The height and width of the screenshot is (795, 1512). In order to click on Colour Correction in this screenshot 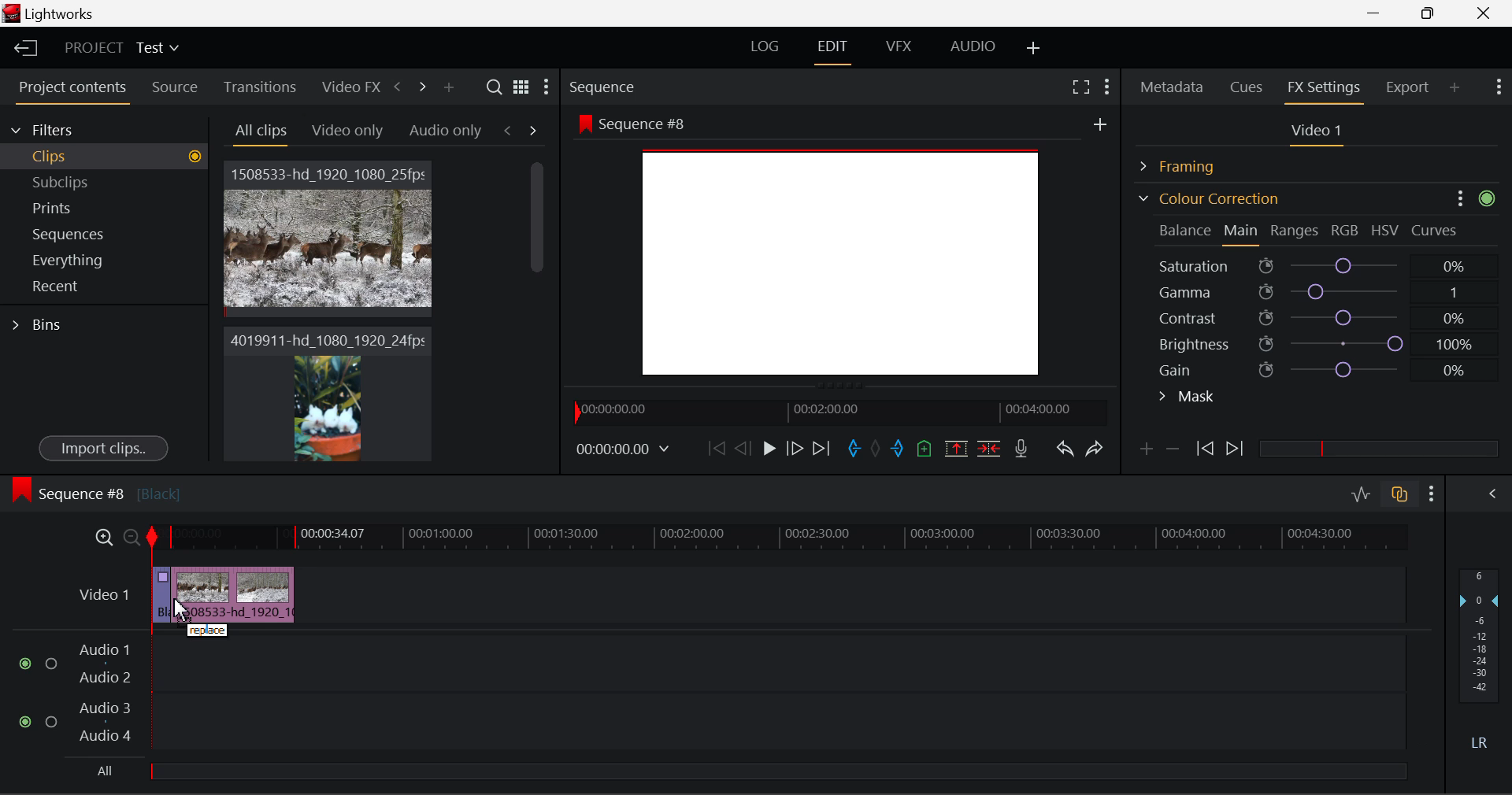, I will do `click(1208, 198)`.